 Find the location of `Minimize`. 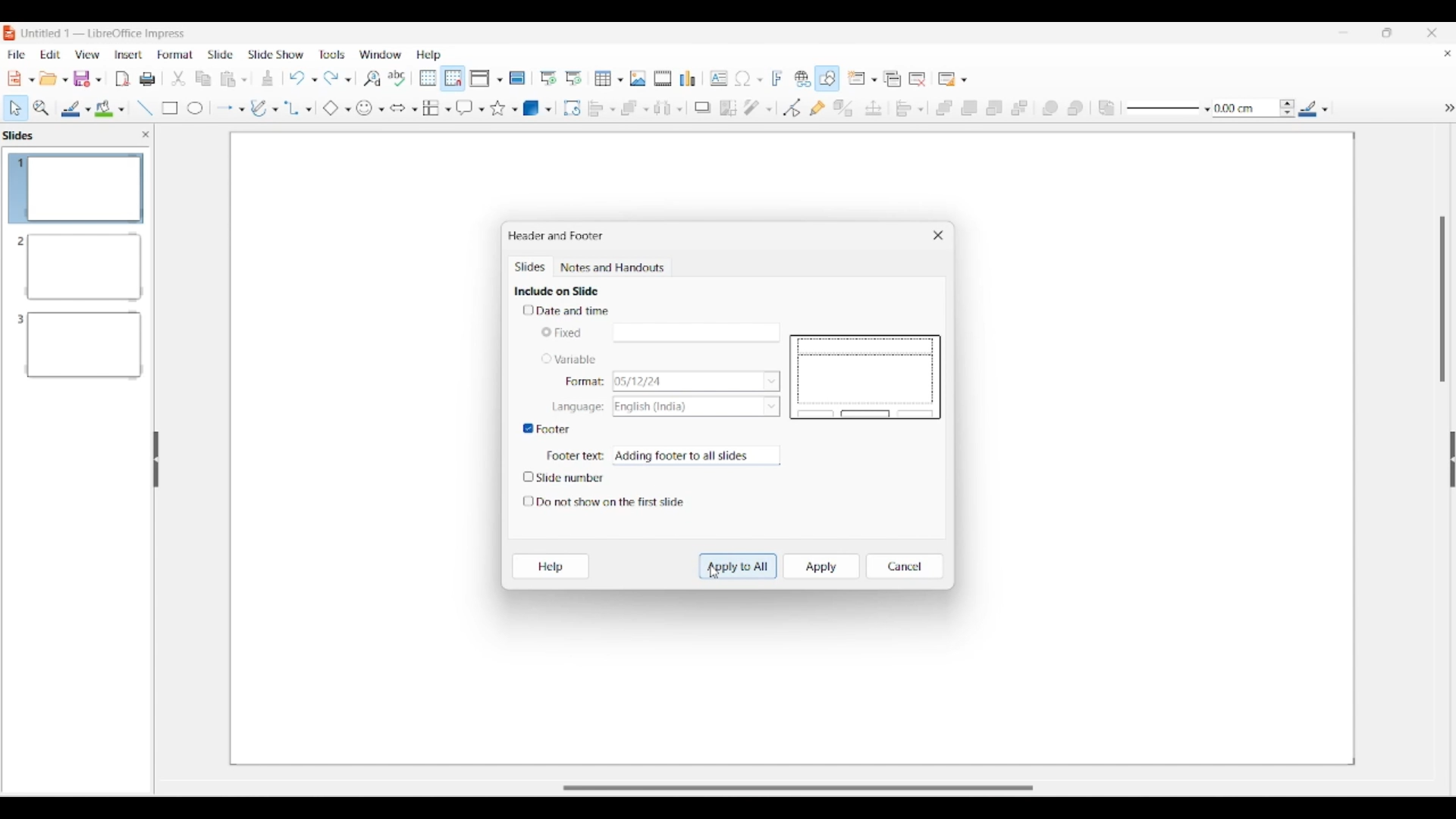

Minimize is located at coordinates (1343, 32).